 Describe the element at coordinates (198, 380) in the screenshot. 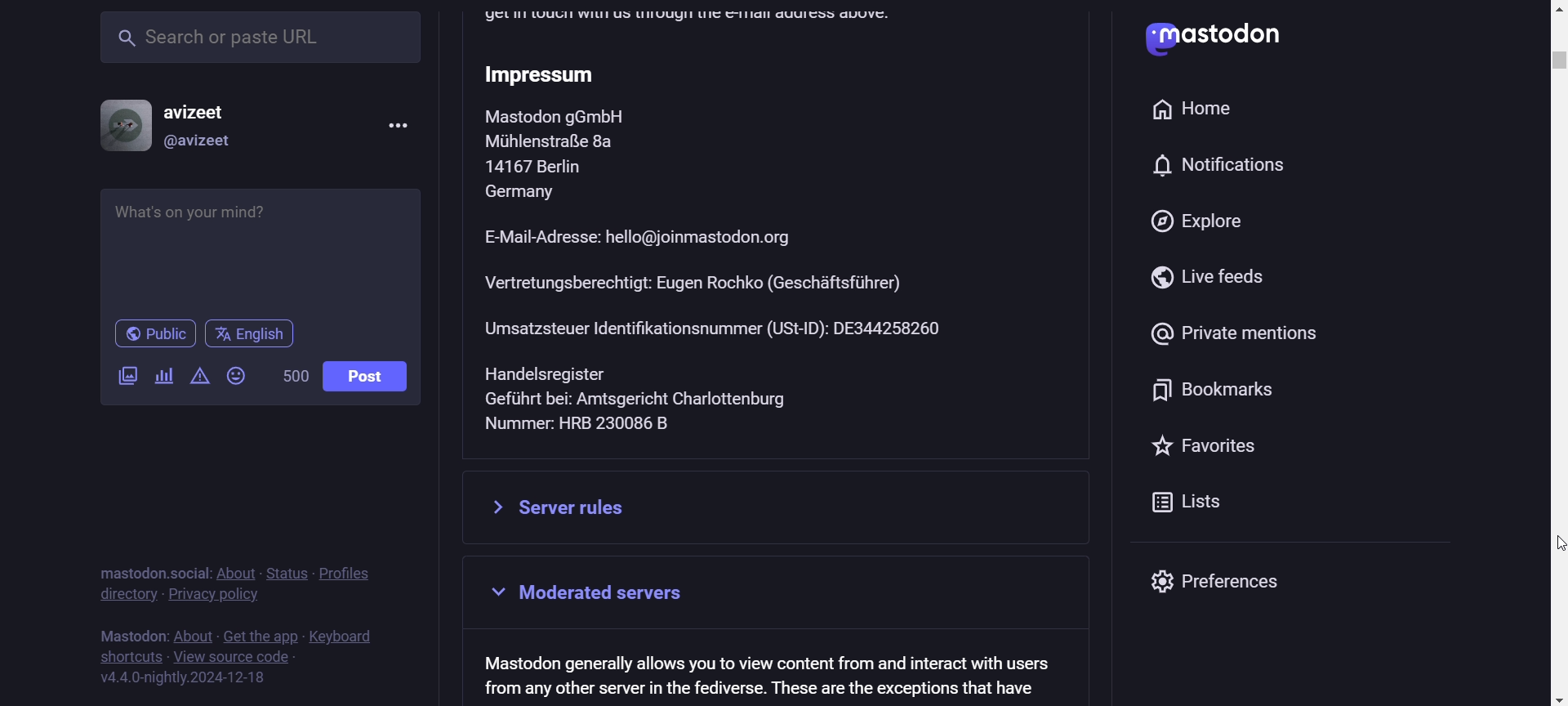

I see `add content warning` at that location.